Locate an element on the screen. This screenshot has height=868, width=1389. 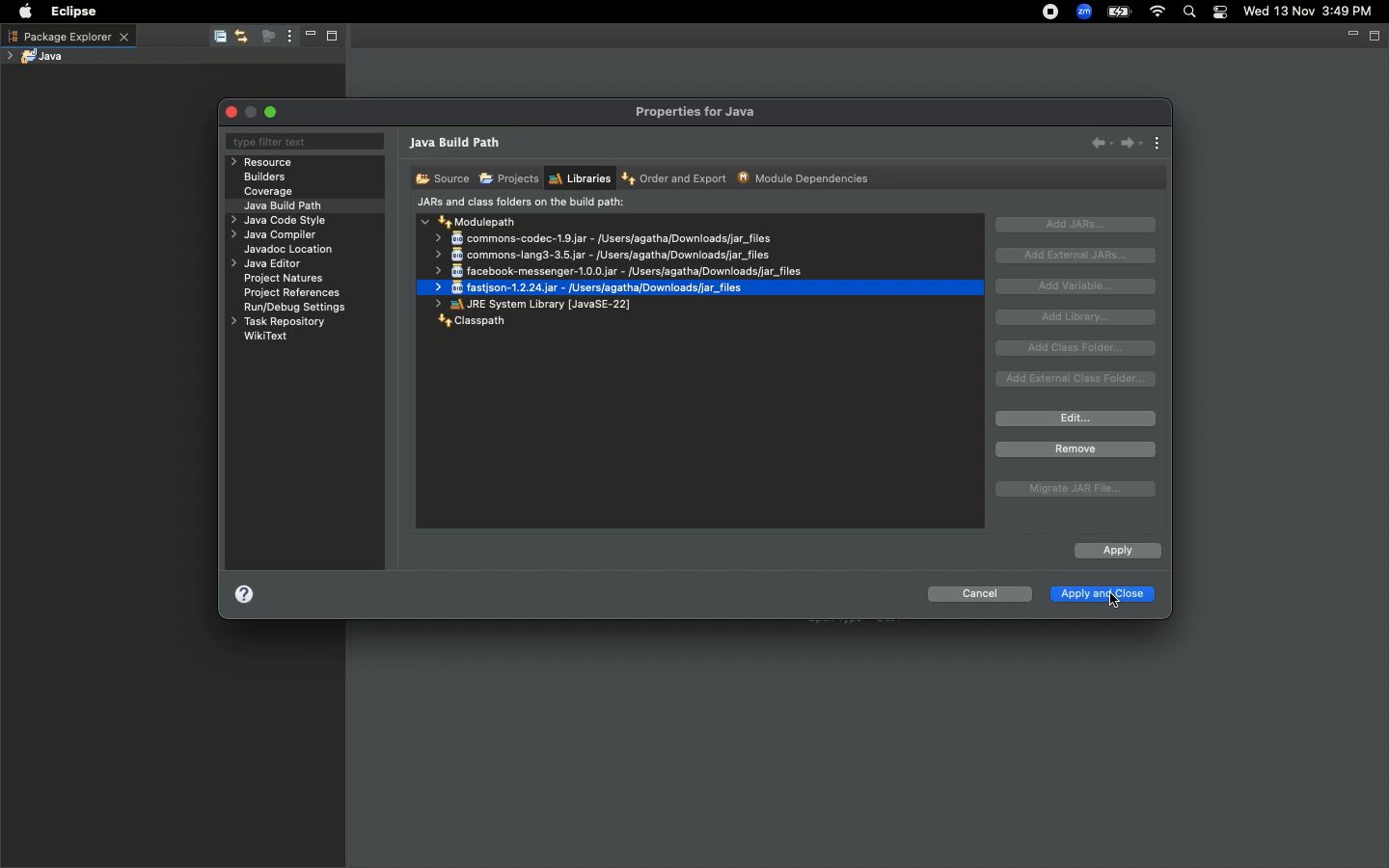
Minimize is located at coordinates (309, 37).